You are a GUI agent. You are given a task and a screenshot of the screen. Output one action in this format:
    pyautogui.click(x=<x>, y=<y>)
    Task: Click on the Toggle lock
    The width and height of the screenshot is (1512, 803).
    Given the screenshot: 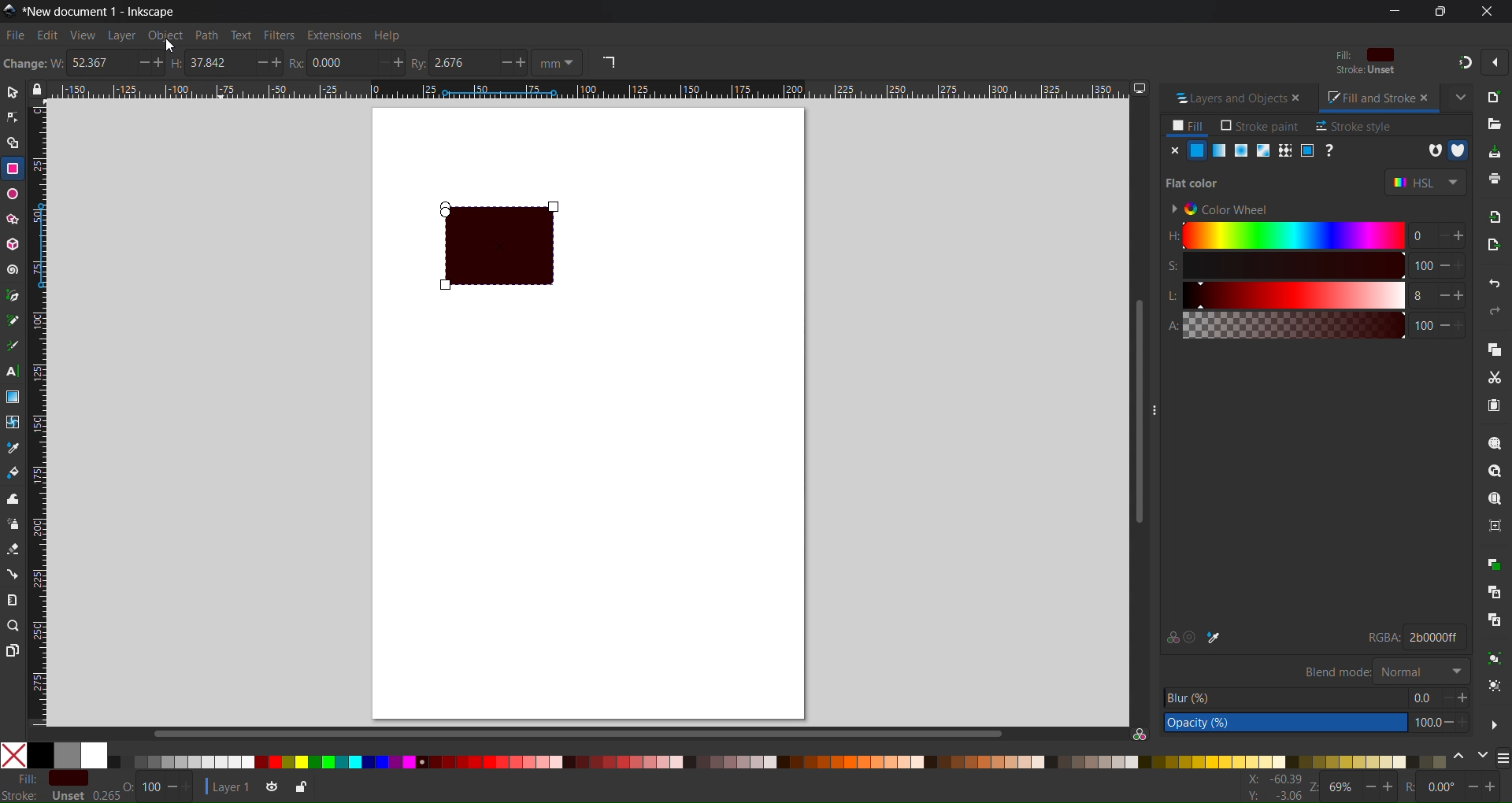 What is the action you would take?
    pyautogui.click(x=41, y=90)
    